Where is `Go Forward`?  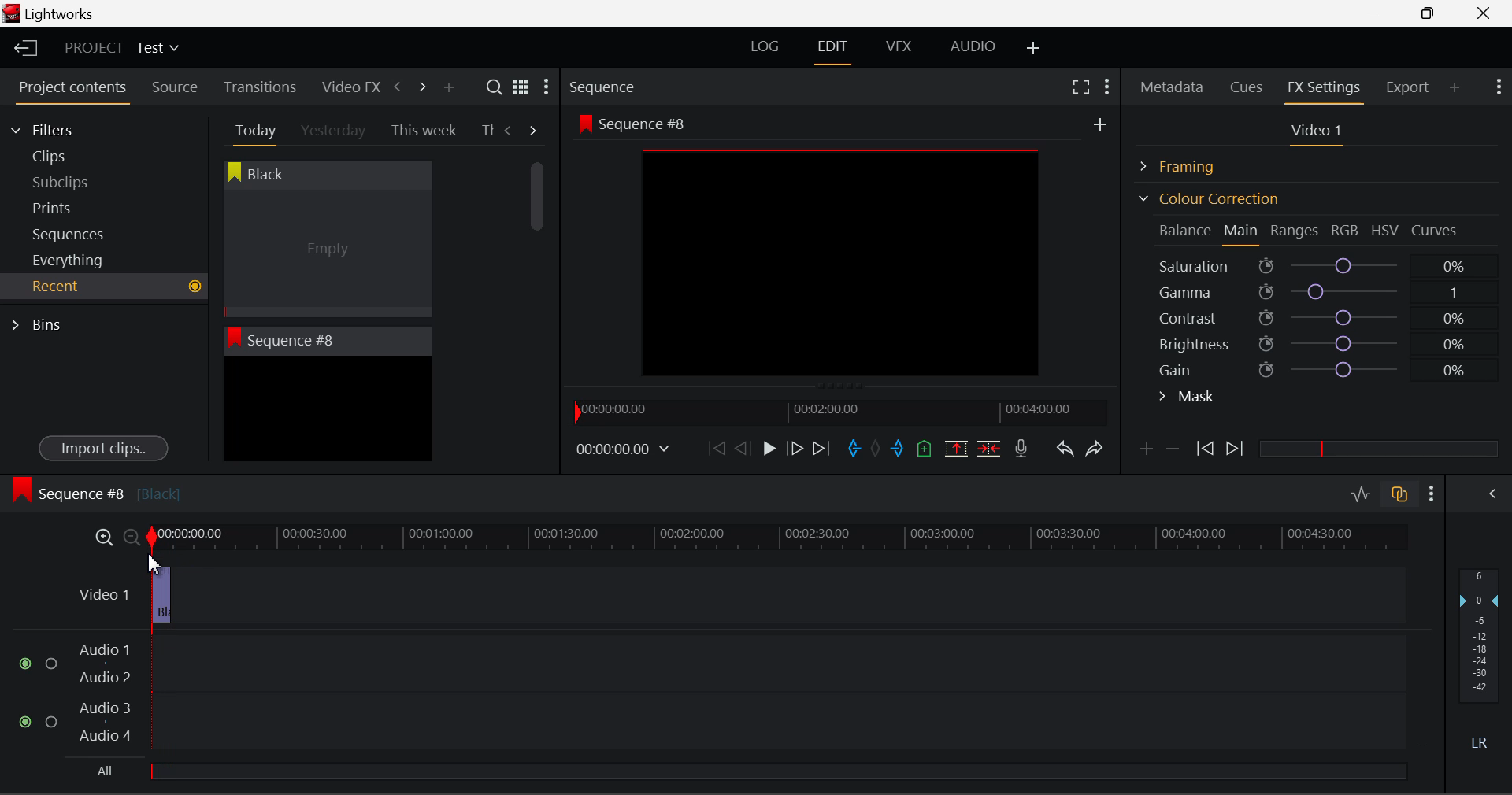 Go Forward is located at coordinates (795, 448).